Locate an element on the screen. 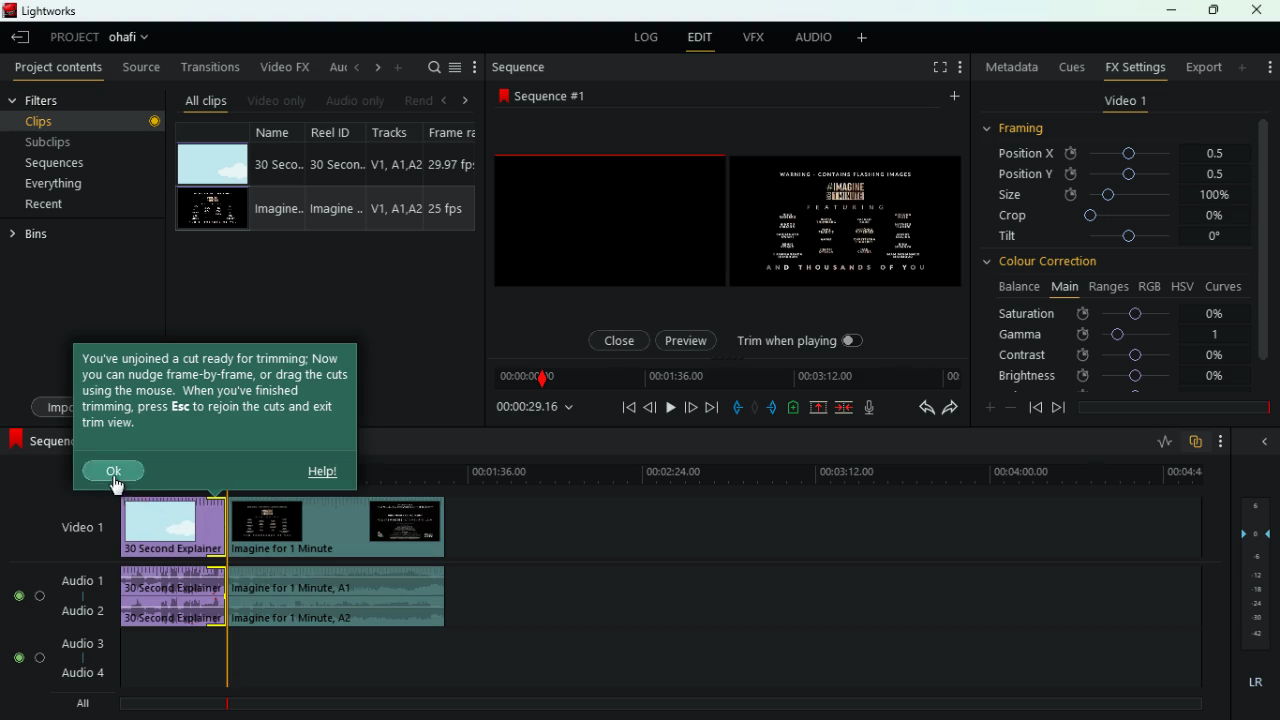  audio is located at coordinates (341, 596).